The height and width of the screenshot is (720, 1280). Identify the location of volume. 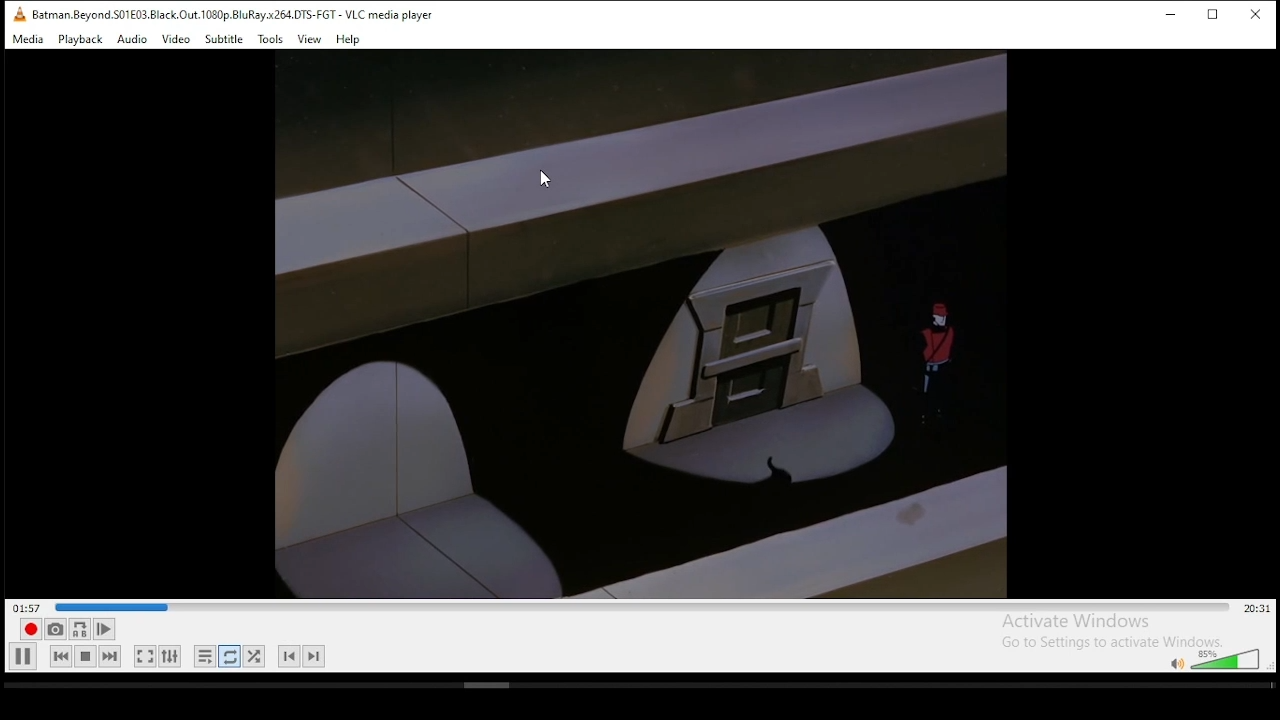
(1228, 658).